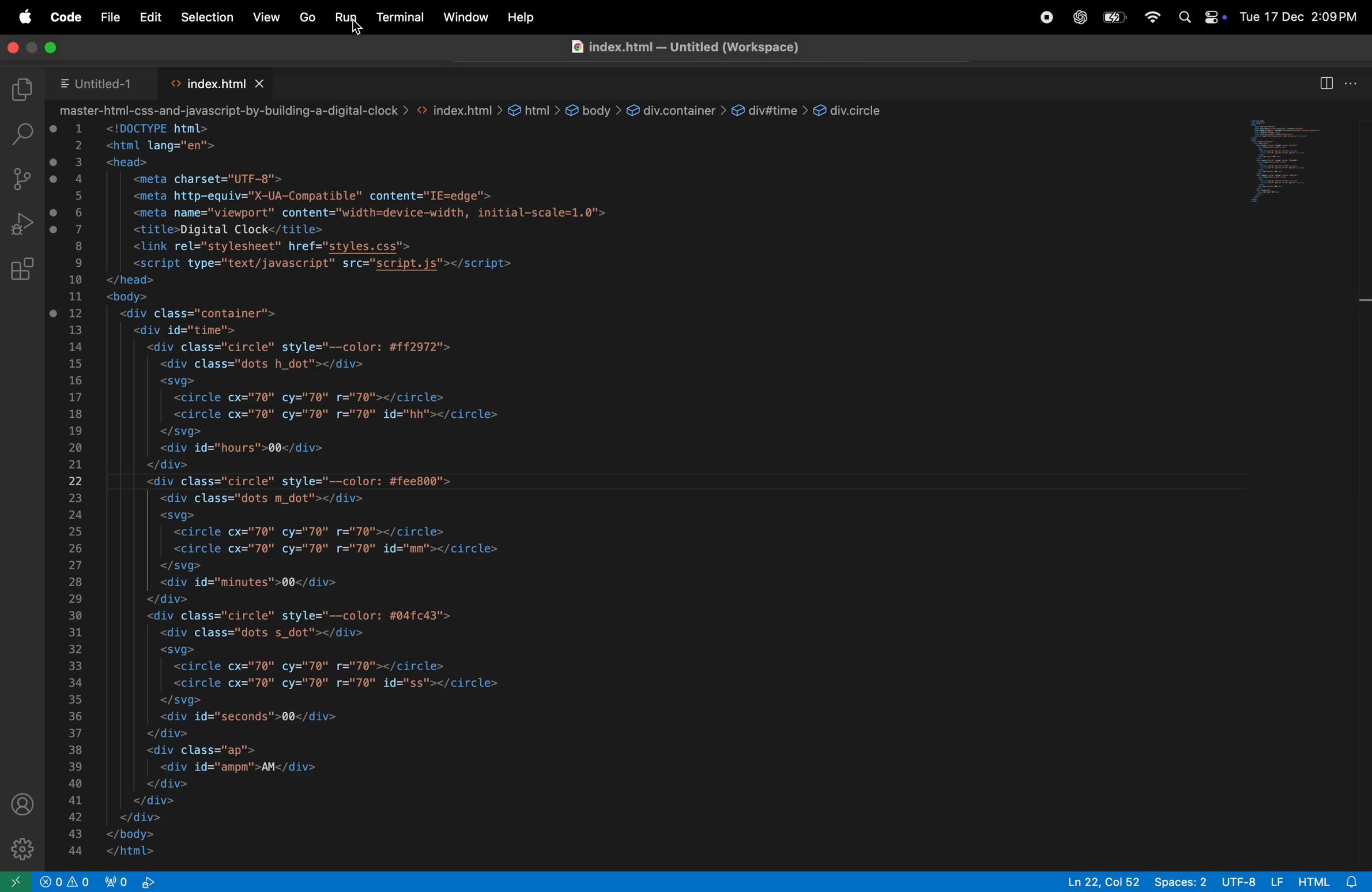  What do you see at coordinates (14, 46) in the screenshot?
I see `close` at bounding box center [14, 46].